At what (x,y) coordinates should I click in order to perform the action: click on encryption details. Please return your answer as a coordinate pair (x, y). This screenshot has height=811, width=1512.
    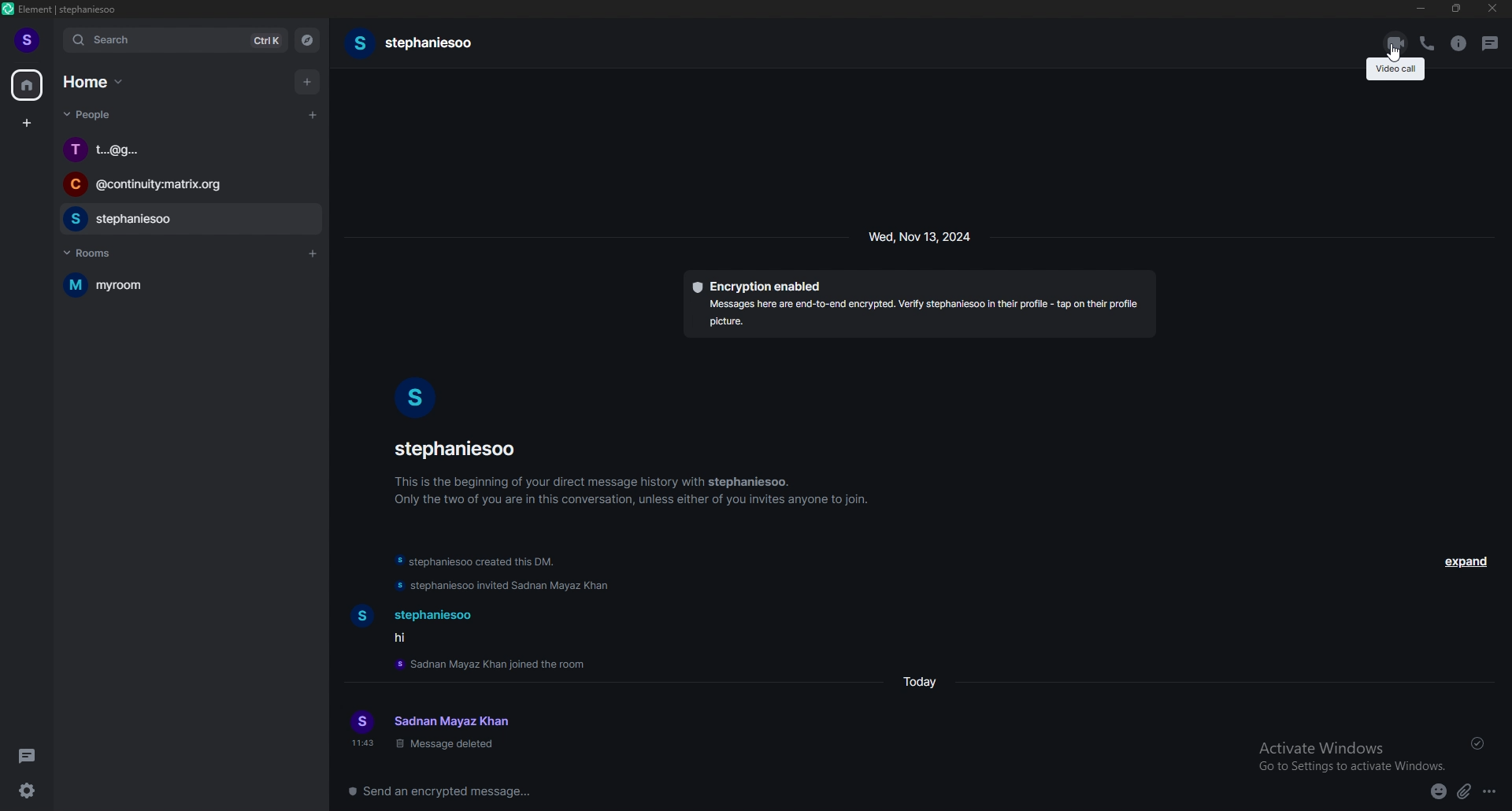
    Looking at the image, I should click on (920, 304).